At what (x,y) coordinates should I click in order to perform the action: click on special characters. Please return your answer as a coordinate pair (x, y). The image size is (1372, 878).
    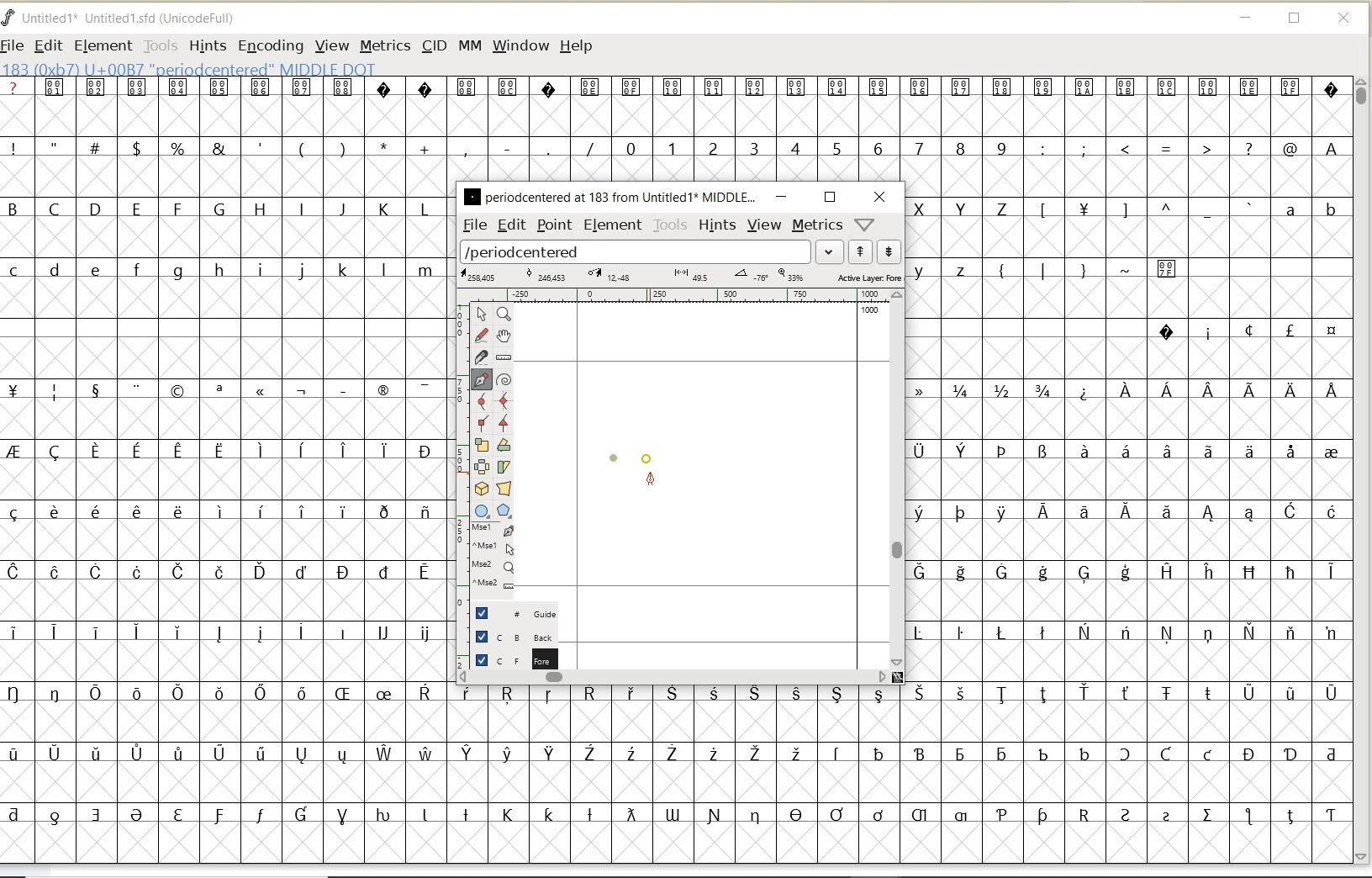
    Looking at the image, I should click on (1247, 331).